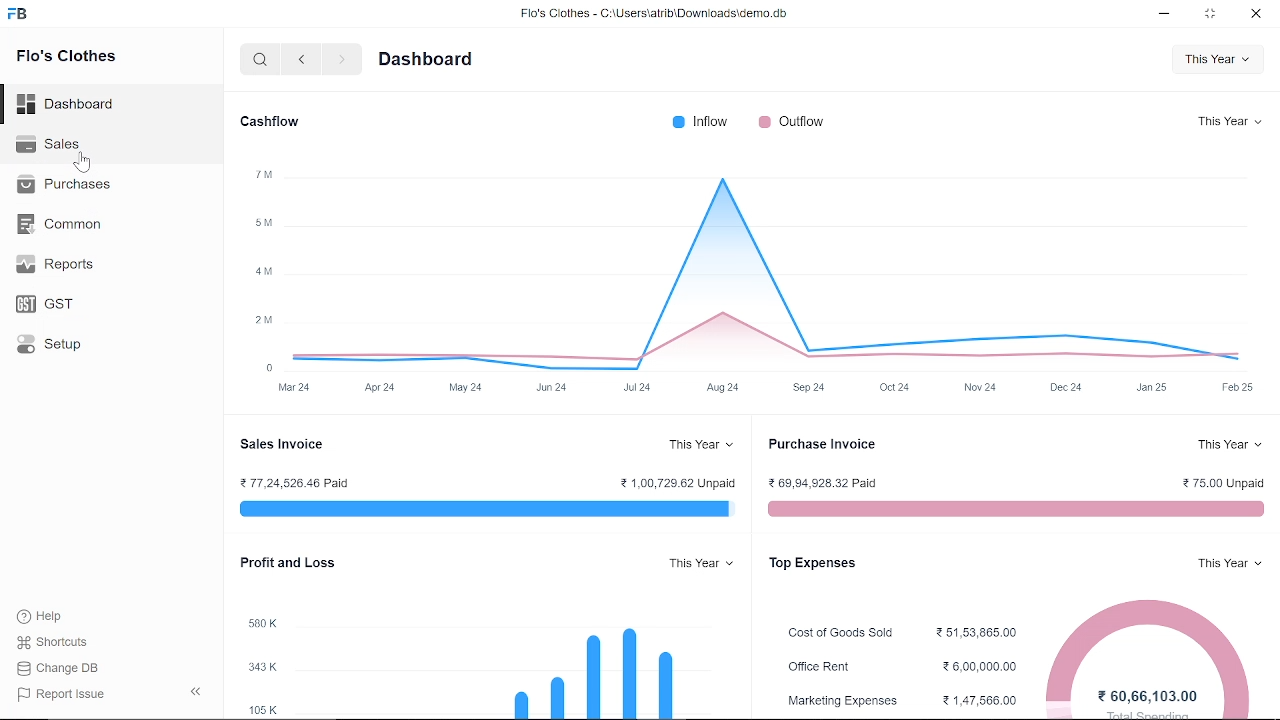 The height and width of the screenshot is (720, 1280). Describe the element at coordinates (662, 15) in the screenshot. I see `Flo's Clothes - C:\UsersatribiDownloads\demo.do` at that location.